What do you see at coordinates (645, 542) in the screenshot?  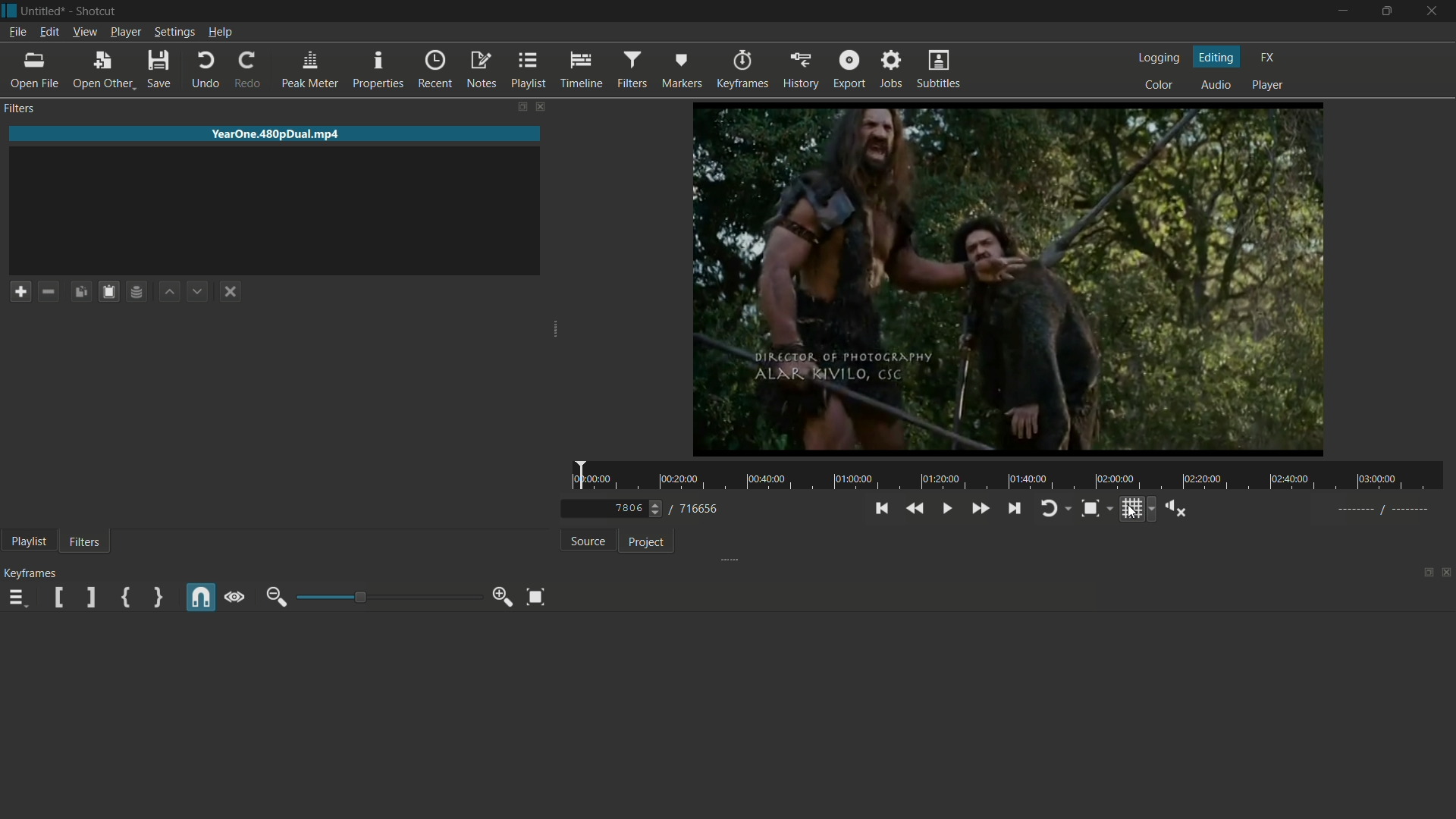 I see `project` at bounding box center [645, 542].